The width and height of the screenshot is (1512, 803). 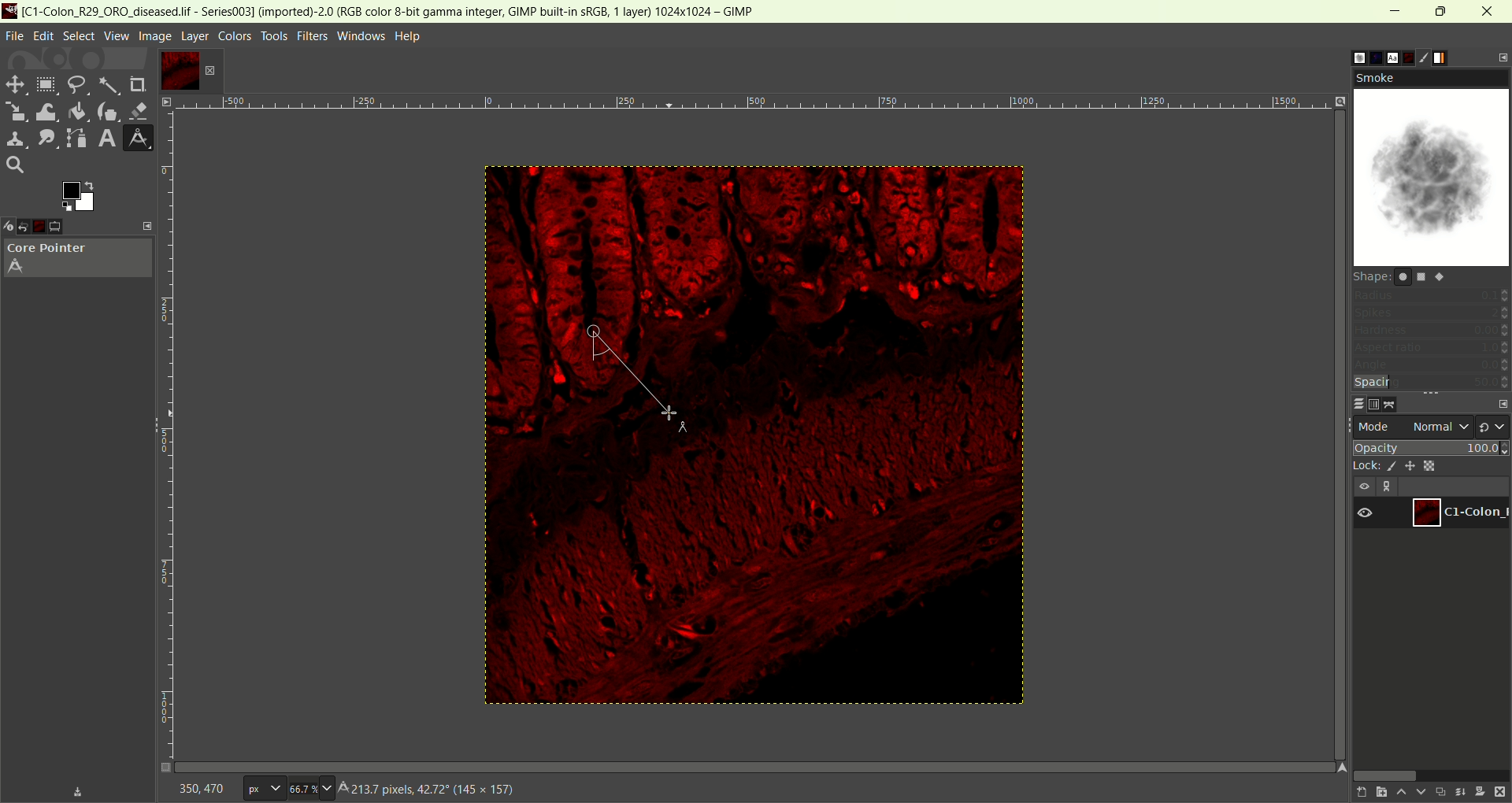 I want to click on spacing, so click(x=1429, y=383).